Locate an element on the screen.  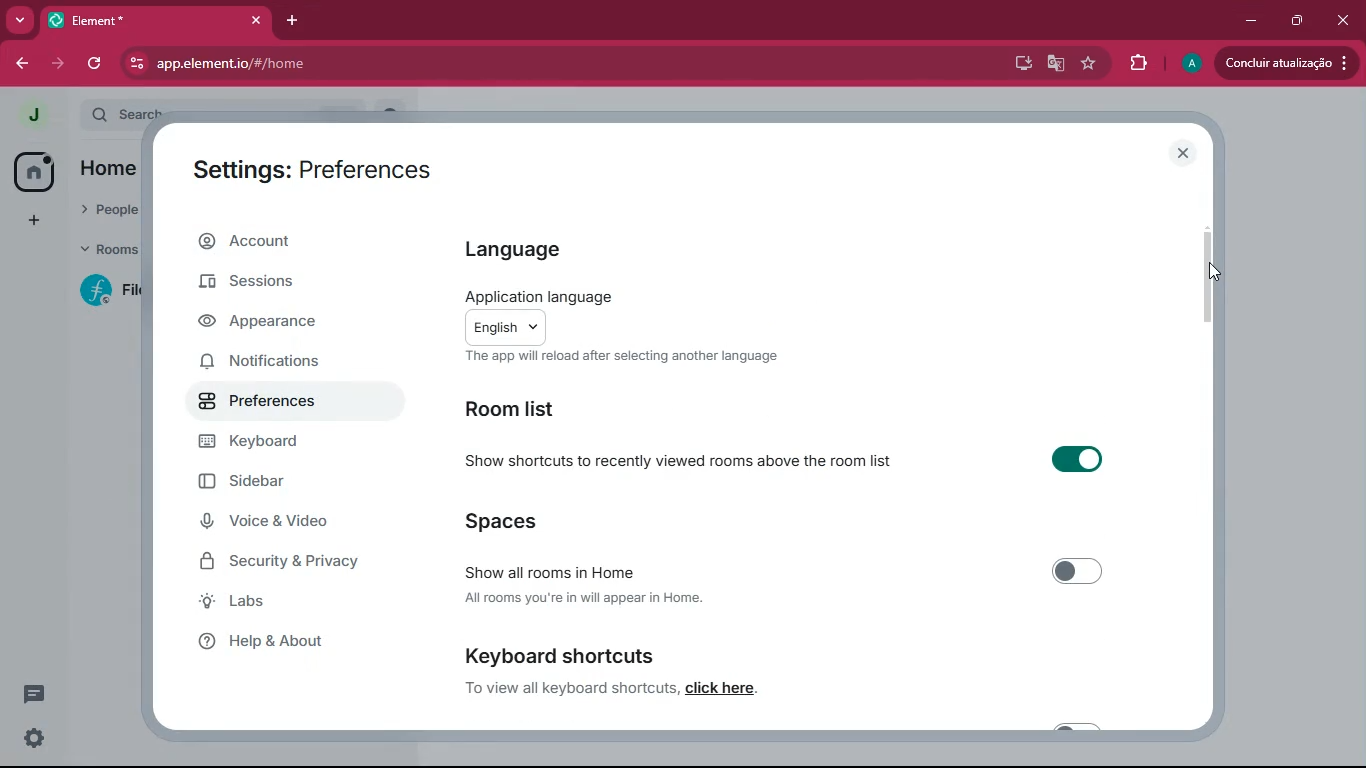
close is located at coordinates (256, 19).